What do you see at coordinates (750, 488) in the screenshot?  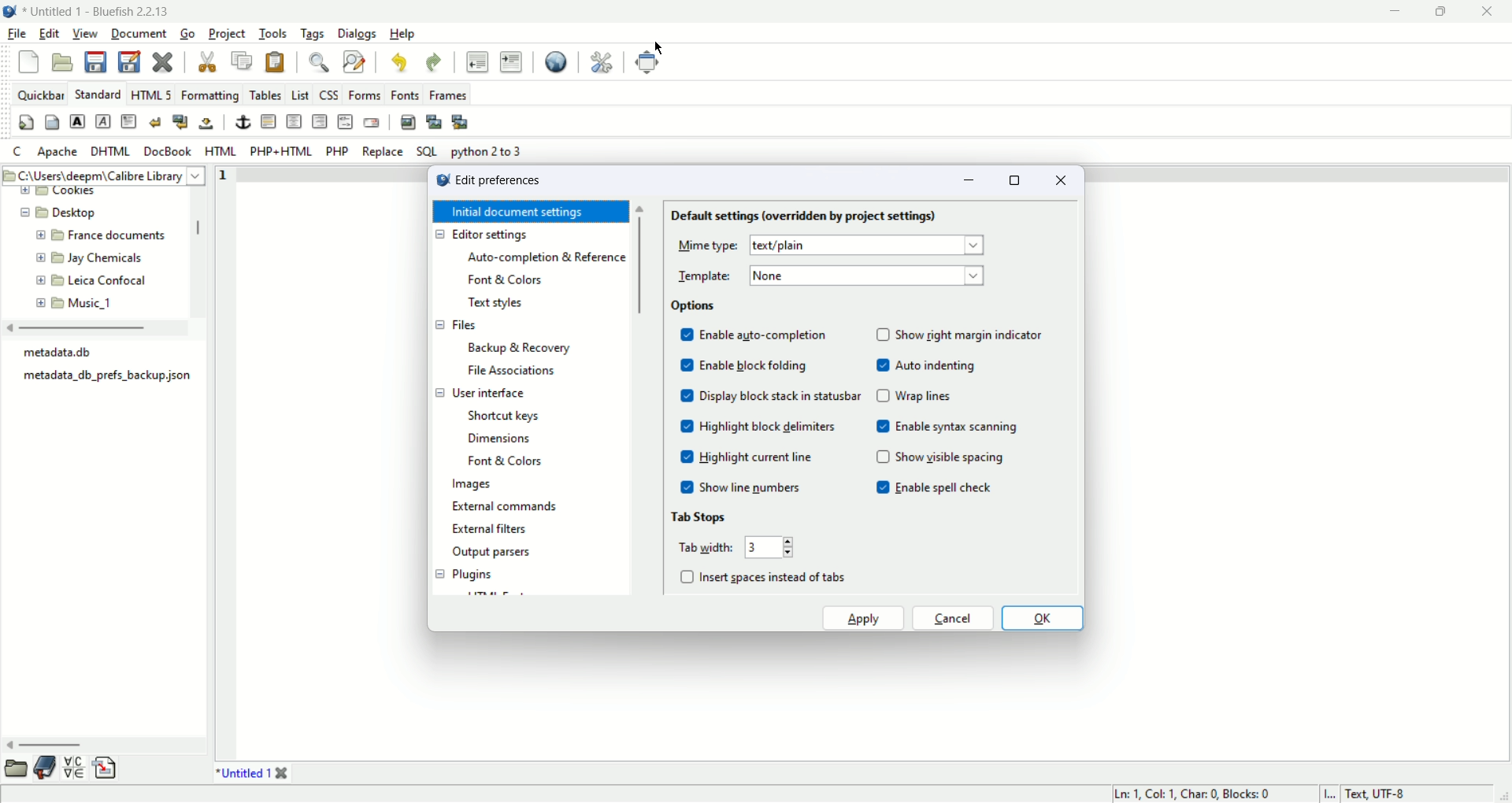 I see `show line numbers` at bounding box center [750, 488].